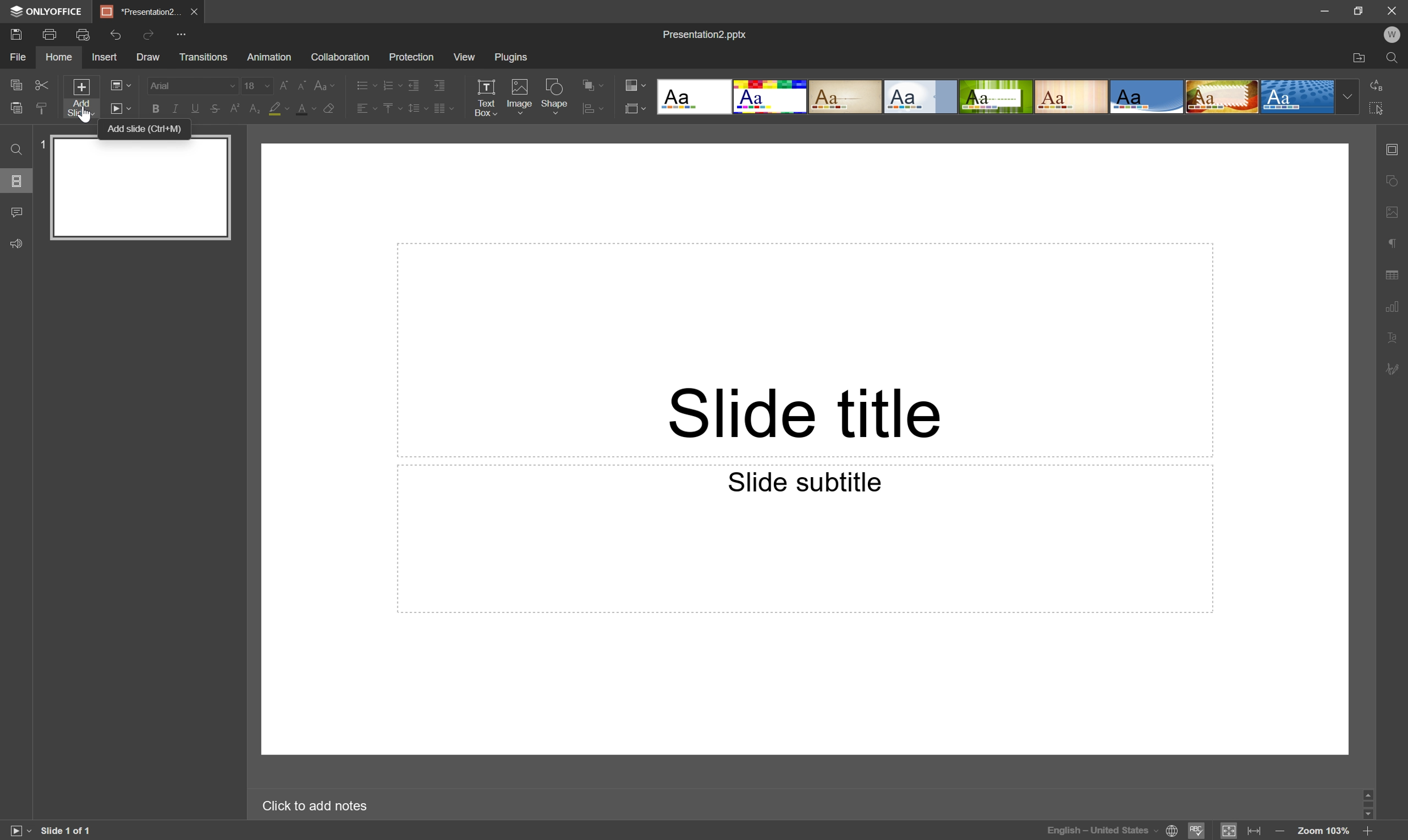 This screenshot has height=840, width=1408. What do you see at coordinates (43, 144) in the screenshot?
I see `1` at bounding box center [43, 144].